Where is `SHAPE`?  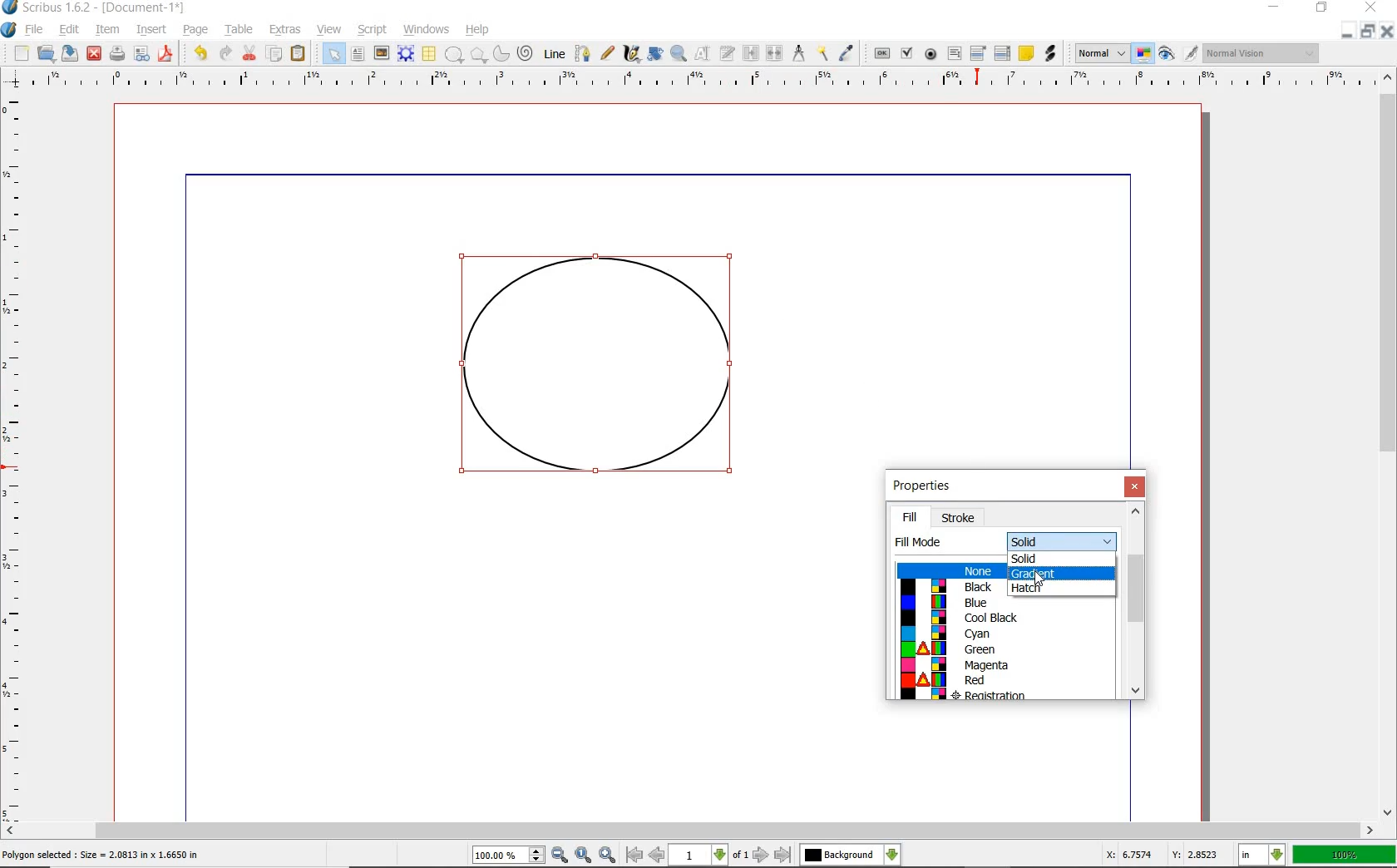
SHAPE is located at coordinates (453, 55).